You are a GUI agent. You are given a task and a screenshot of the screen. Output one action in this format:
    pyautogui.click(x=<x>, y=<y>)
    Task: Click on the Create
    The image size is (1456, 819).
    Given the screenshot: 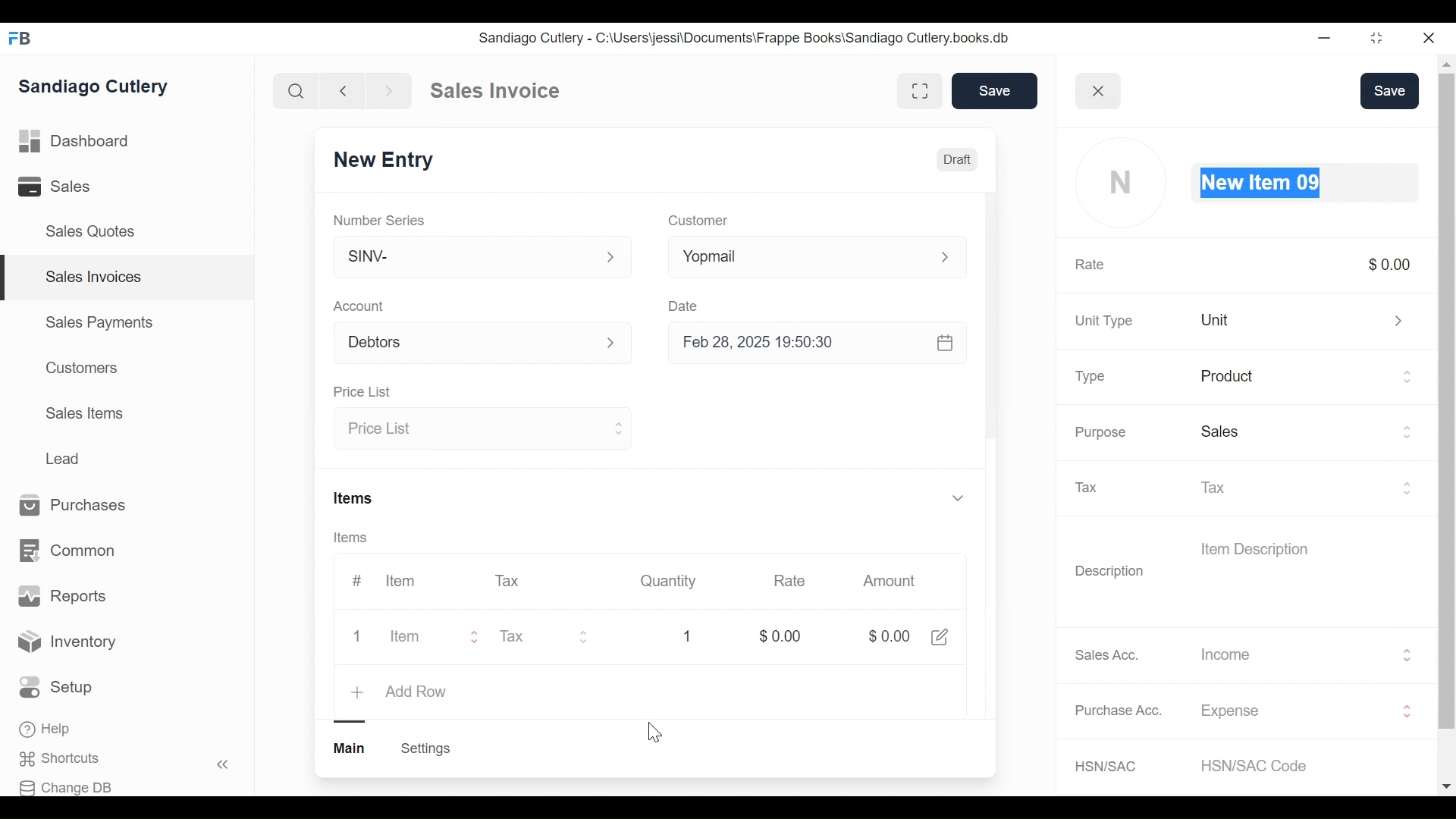 What is the action you would take?
    pyautogui.click(x=425, y=749)
    